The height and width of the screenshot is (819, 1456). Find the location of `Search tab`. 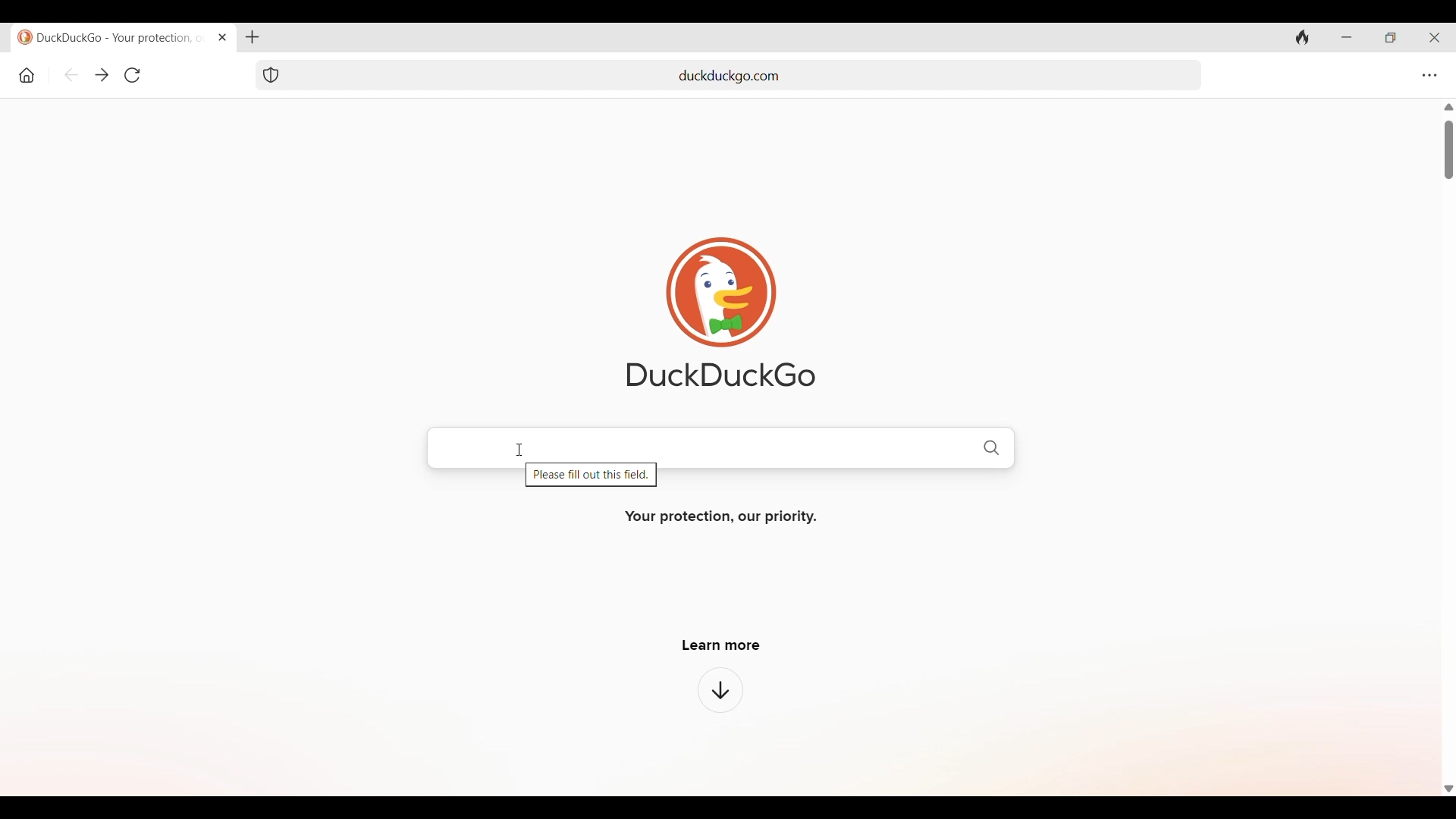

Search tab is located at coordinates (991, 76).